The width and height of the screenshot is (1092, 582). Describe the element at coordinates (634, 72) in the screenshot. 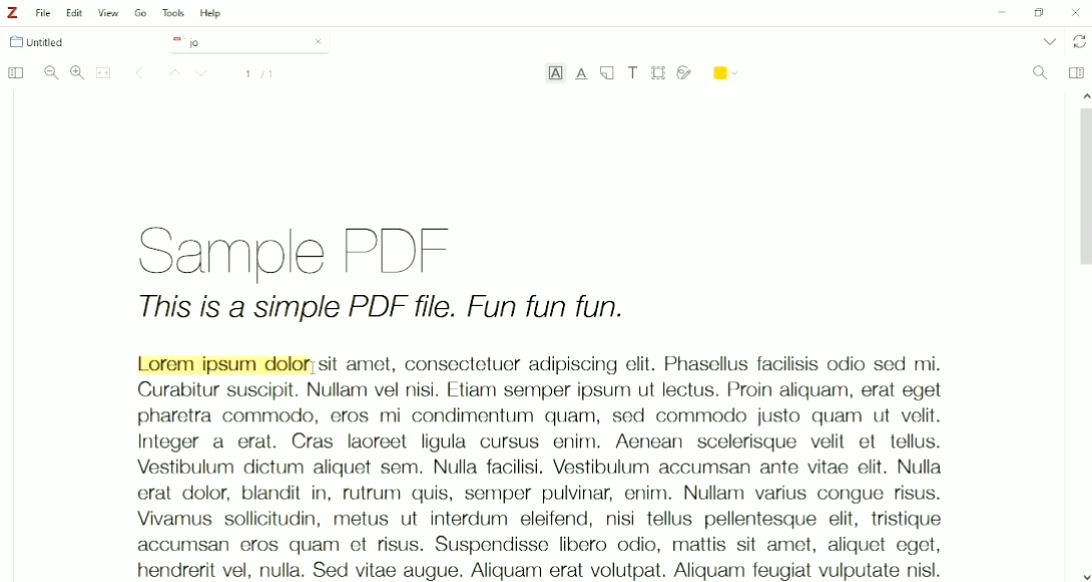

I see `Add Text` at that location.